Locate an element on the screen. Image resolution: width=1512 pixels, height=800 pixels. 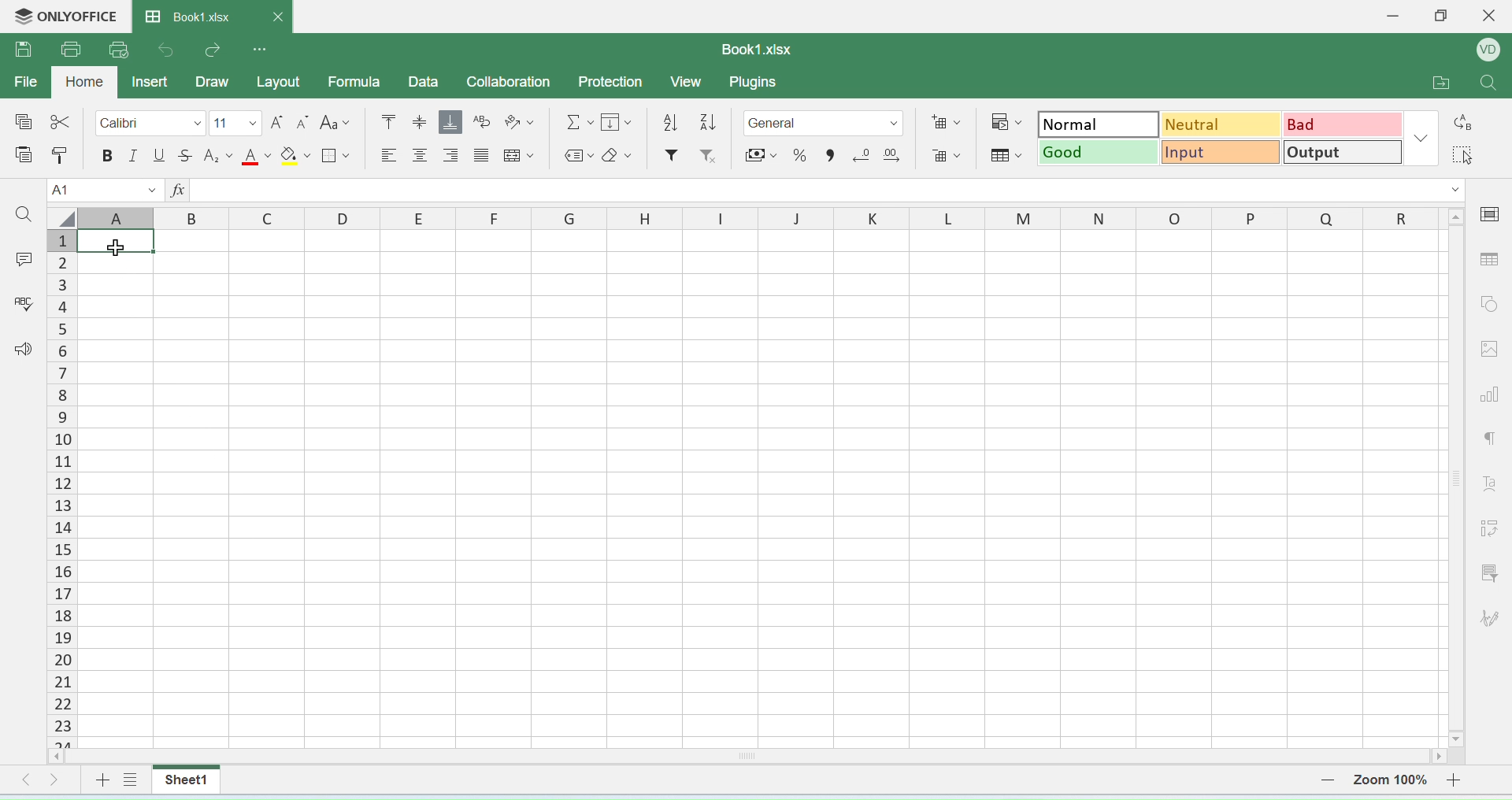
special is located at coordinates (22, 122).